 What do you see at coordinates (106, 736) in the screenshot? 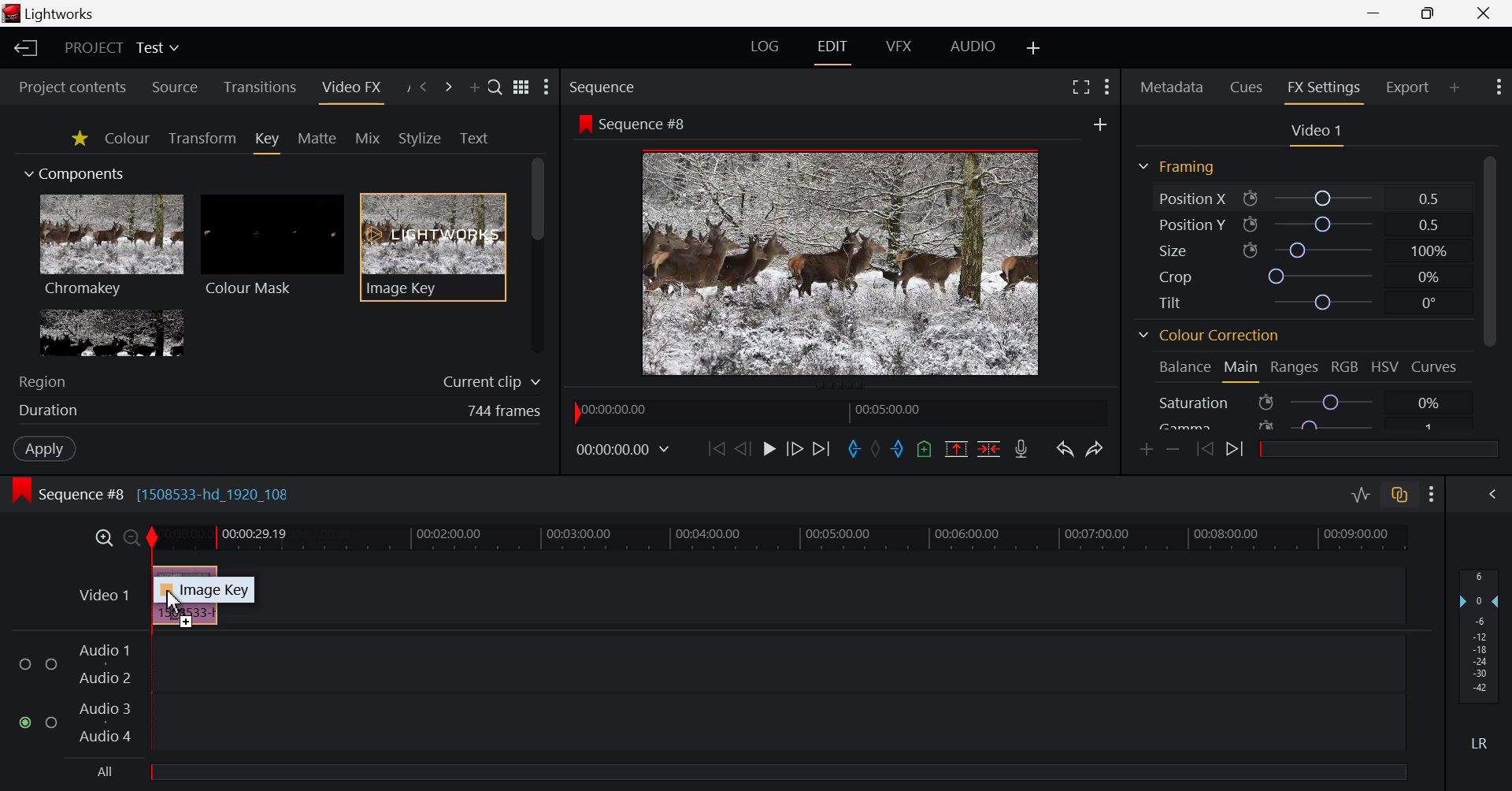
I see `Audio 4` at bounding box center [106, 736].